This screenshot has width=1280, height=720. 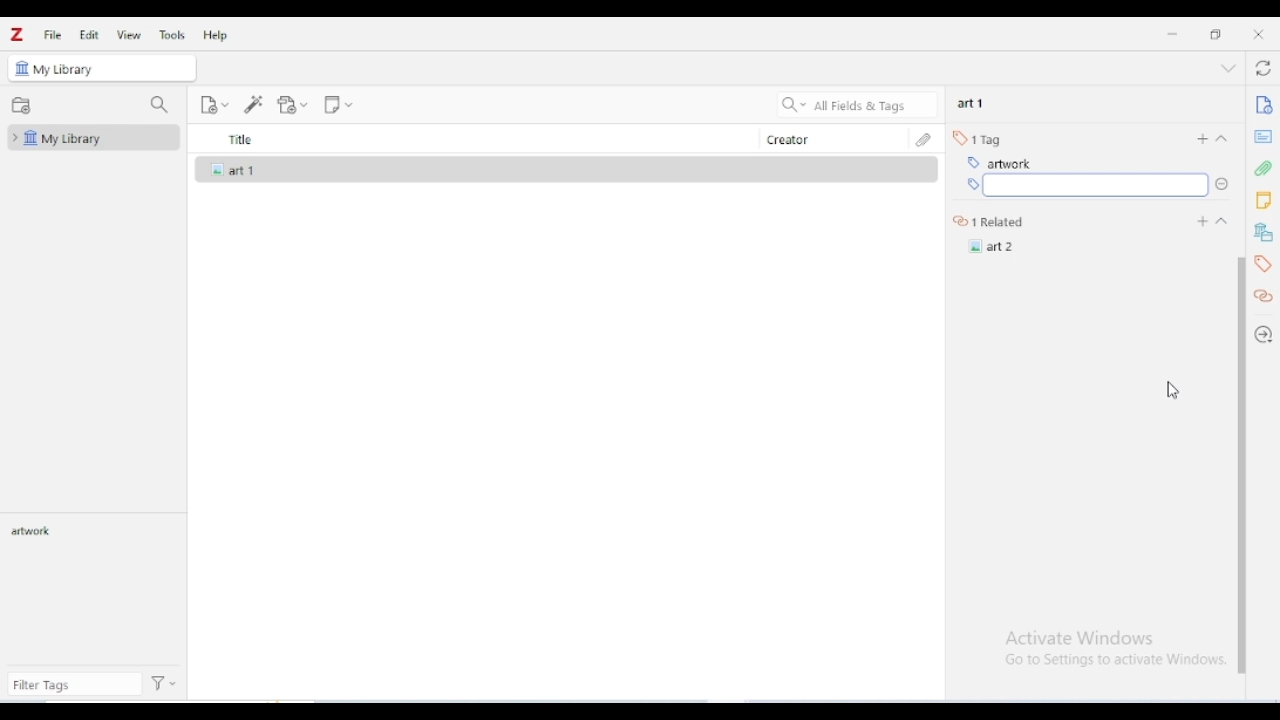 I want to click on collapse section, so click(x=1221, y=144).